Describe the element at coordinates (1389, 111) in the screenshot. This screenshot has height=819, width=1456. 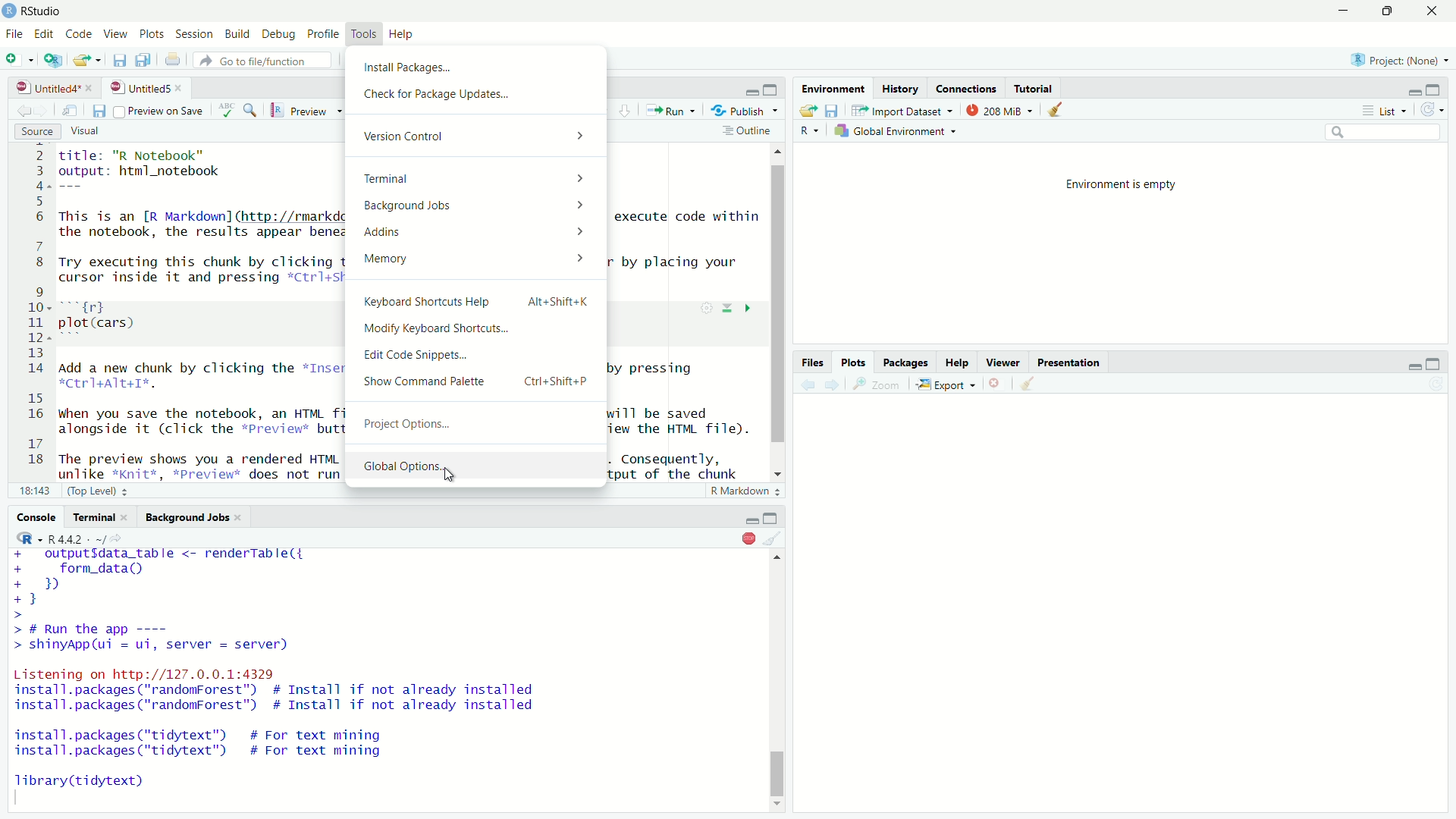
I see `List` at that location.